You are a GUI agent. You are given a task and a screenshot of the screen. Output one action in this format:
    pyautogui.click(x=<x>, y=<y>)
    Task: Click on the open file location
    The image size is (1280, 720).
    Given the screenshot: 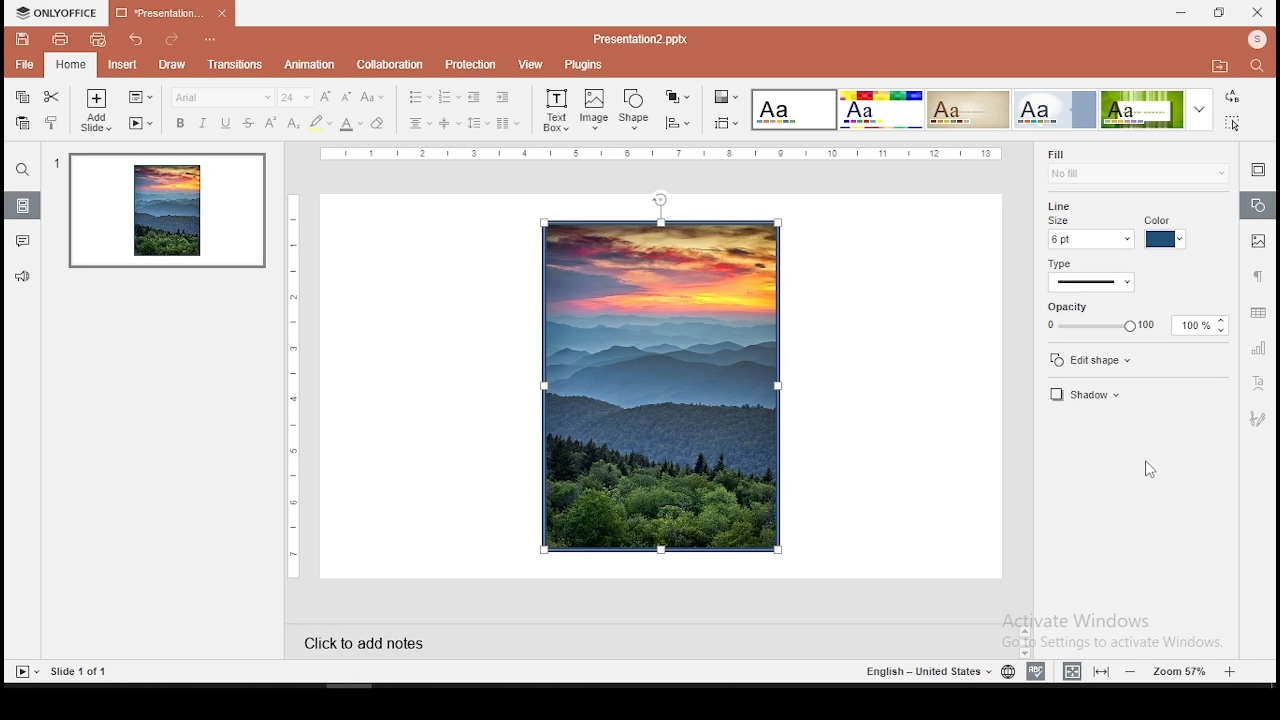 What is the action you would take?
    pyautogui.click(x=1222, y=70)
    